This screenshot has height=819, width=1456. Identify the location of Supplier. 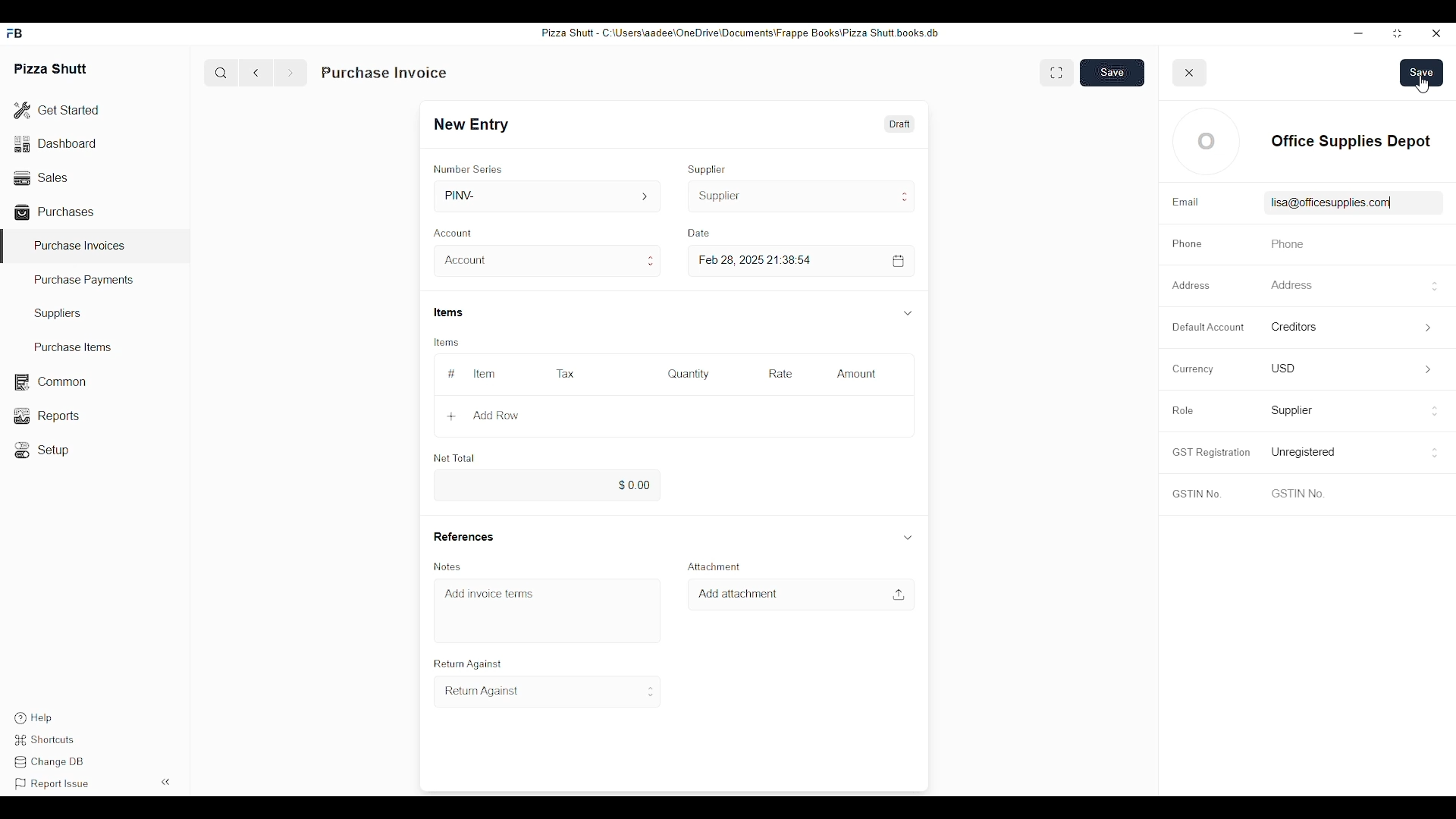
(1293, 411).